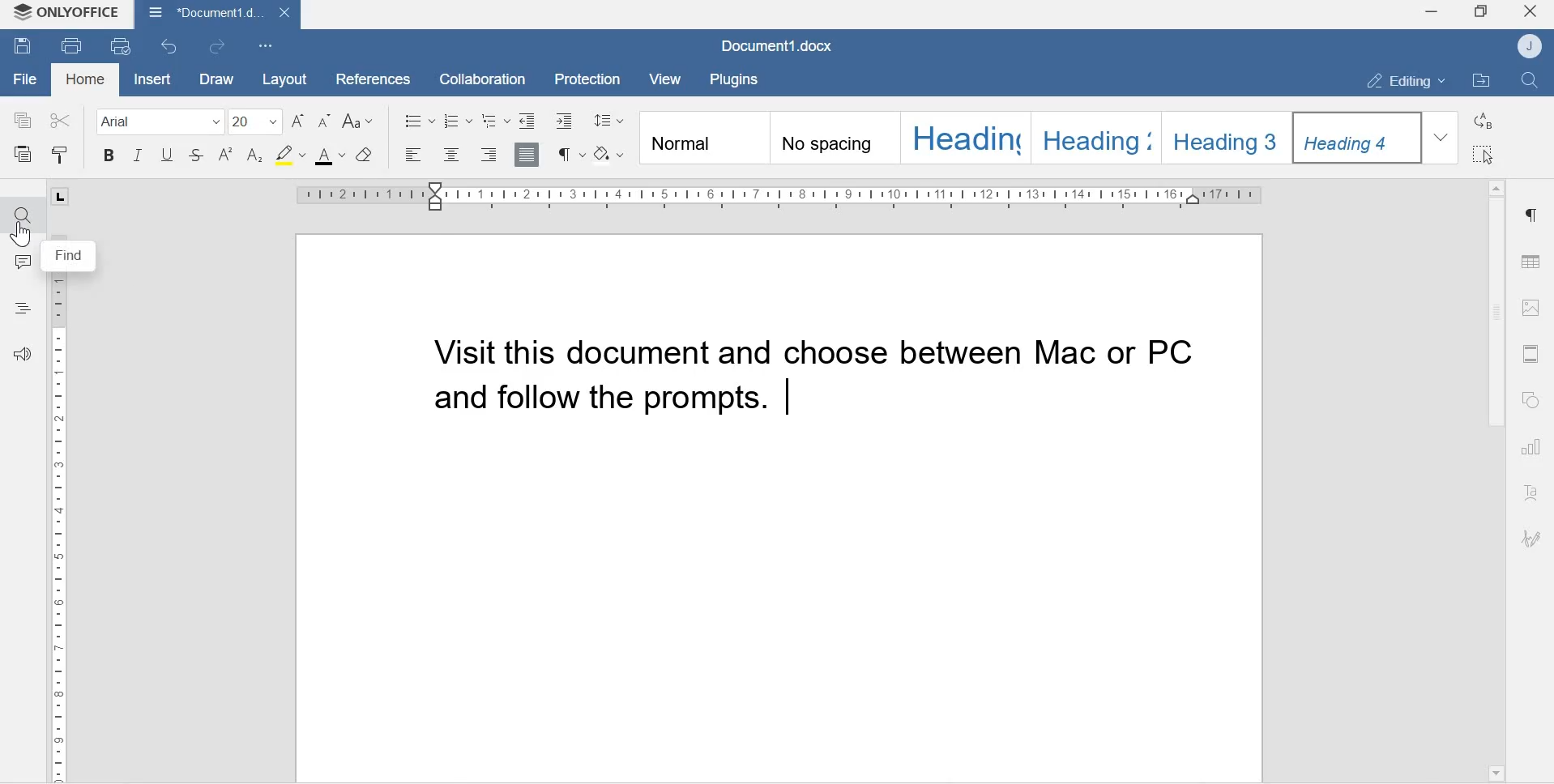 This screenshot has width=1554, height=784. What do you see at coordinates (1531, 215) in the screenshot?
I see `Paragraph settings` at bounding box center [1531, 215].